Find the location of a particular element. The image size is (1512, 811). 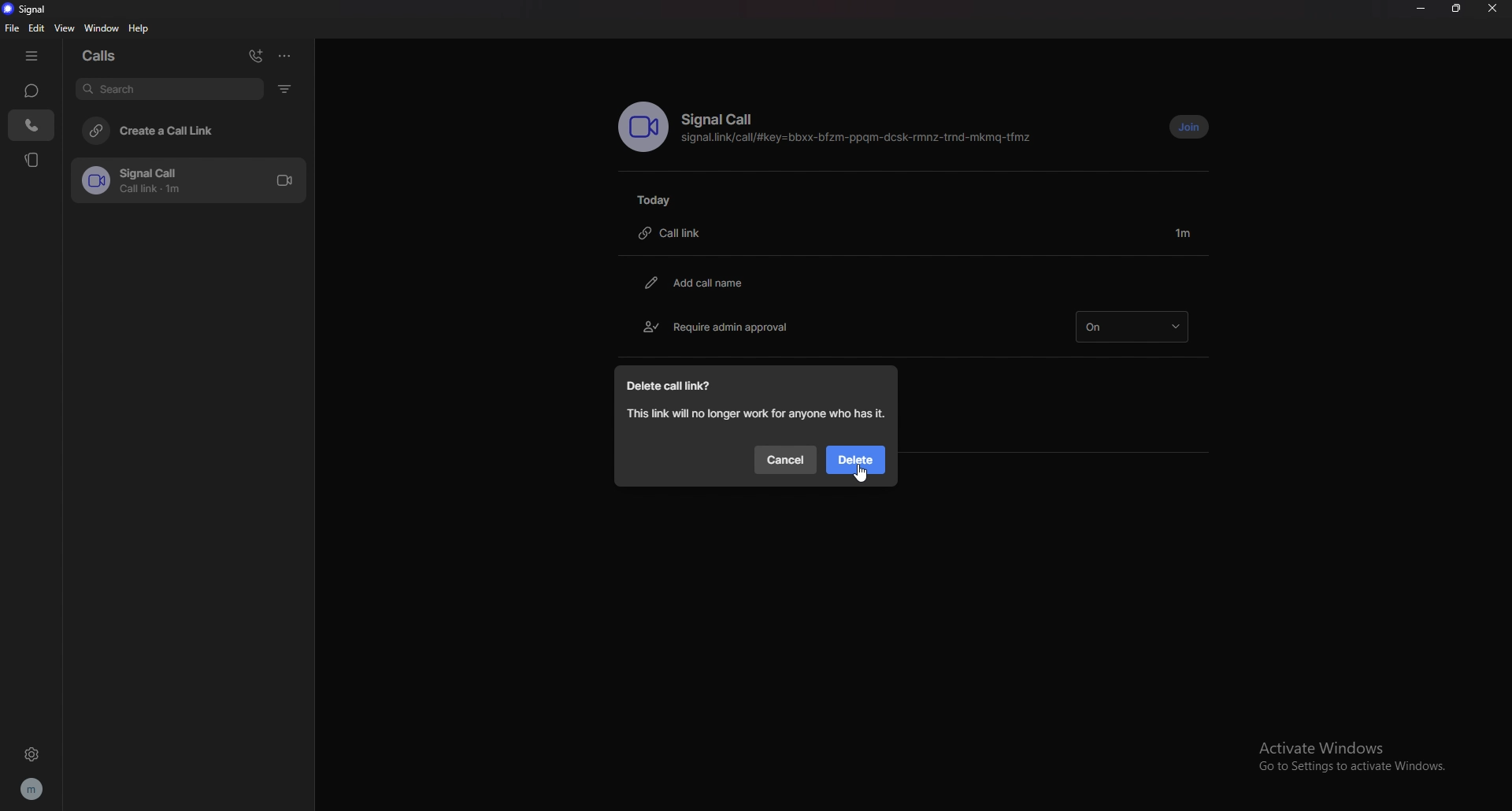

minimize is located at coordinates (1421, 7).